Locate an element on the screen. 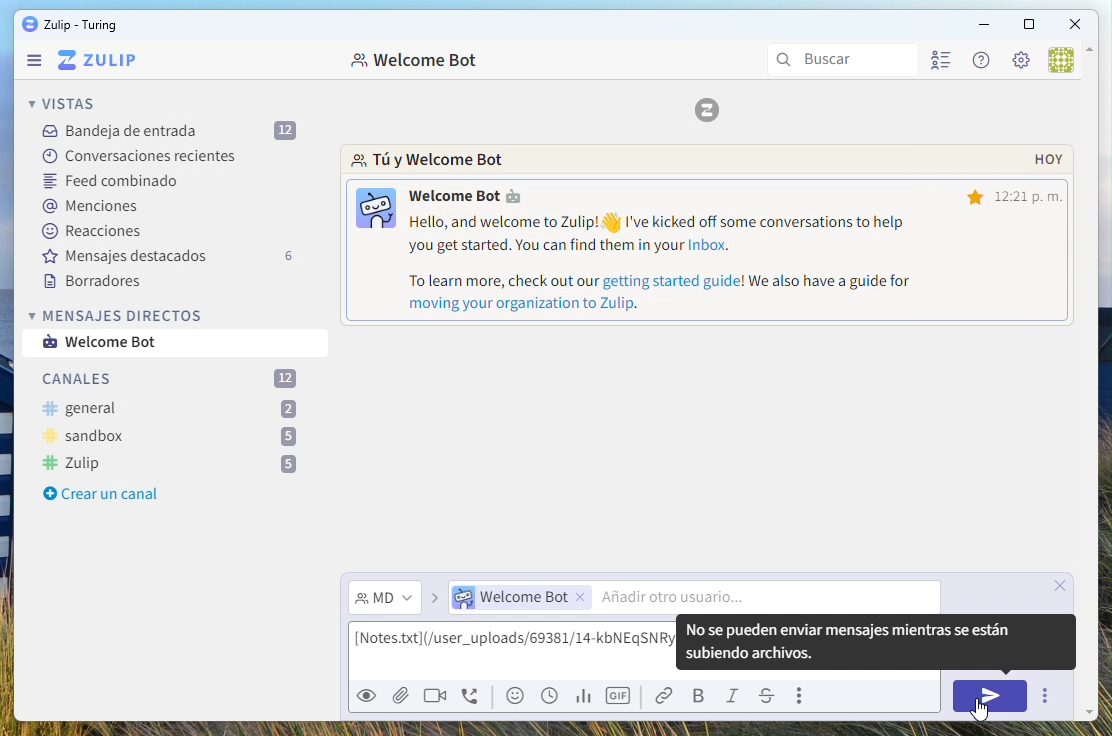  close is located at coordinates (1065, 585).